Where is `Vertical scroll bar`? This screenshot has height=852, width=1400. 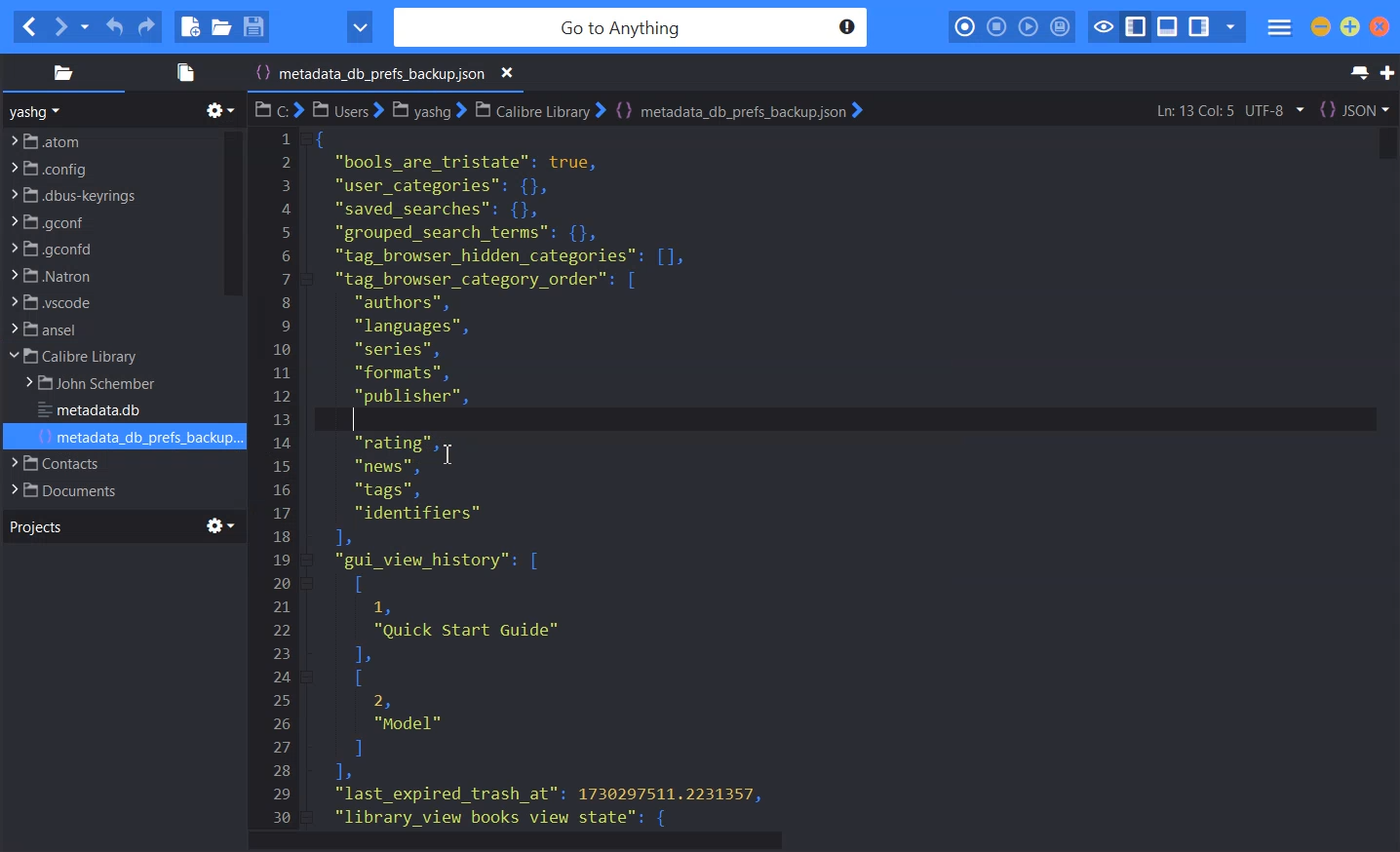 Vertical scroll bar is located at coordinates (1383, 477).